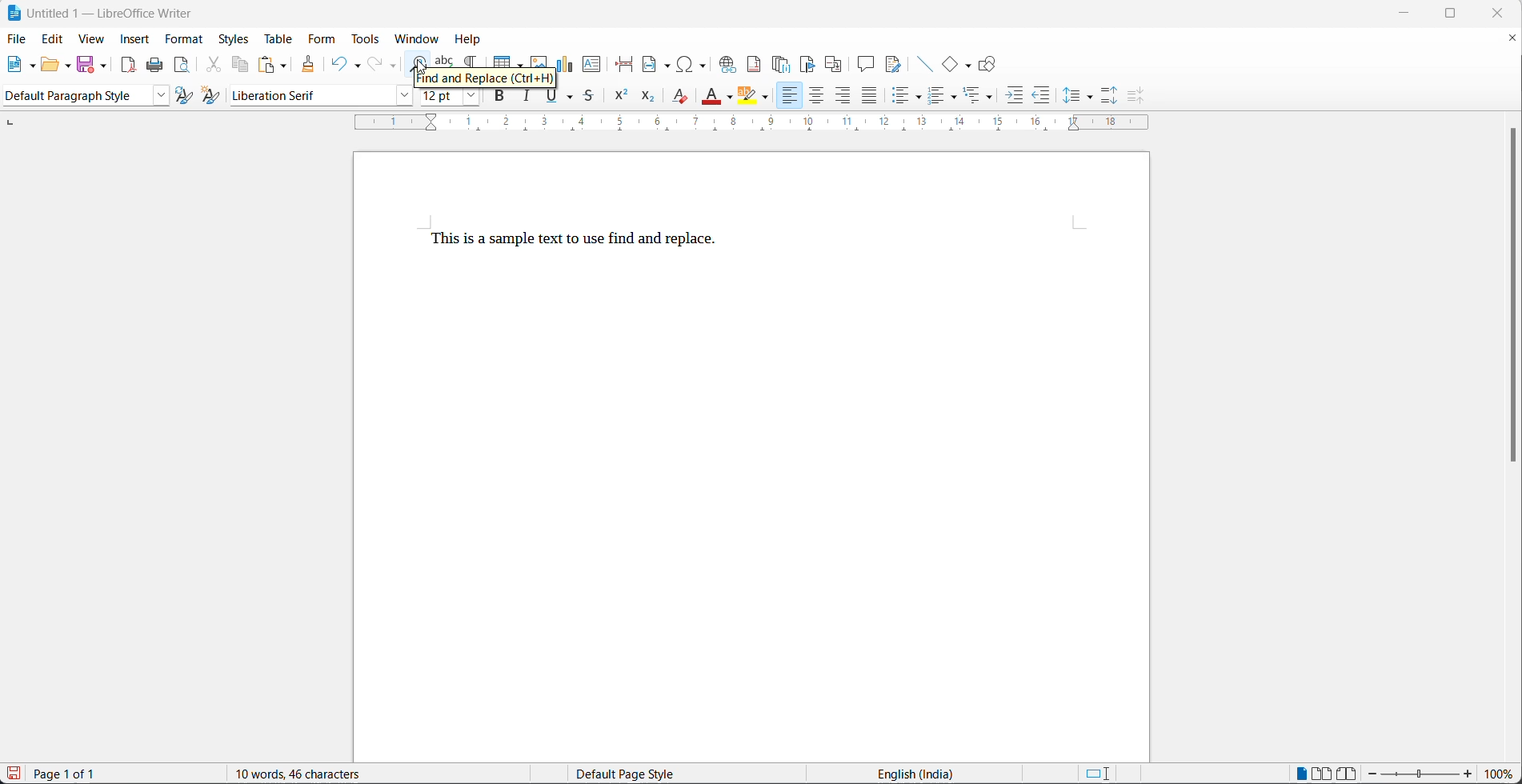 The image size is (1522, 784). What do you see at coordinates (1420, 774) in the screenshot?
I see `zoom slider` at bounding box center [1420, 774].